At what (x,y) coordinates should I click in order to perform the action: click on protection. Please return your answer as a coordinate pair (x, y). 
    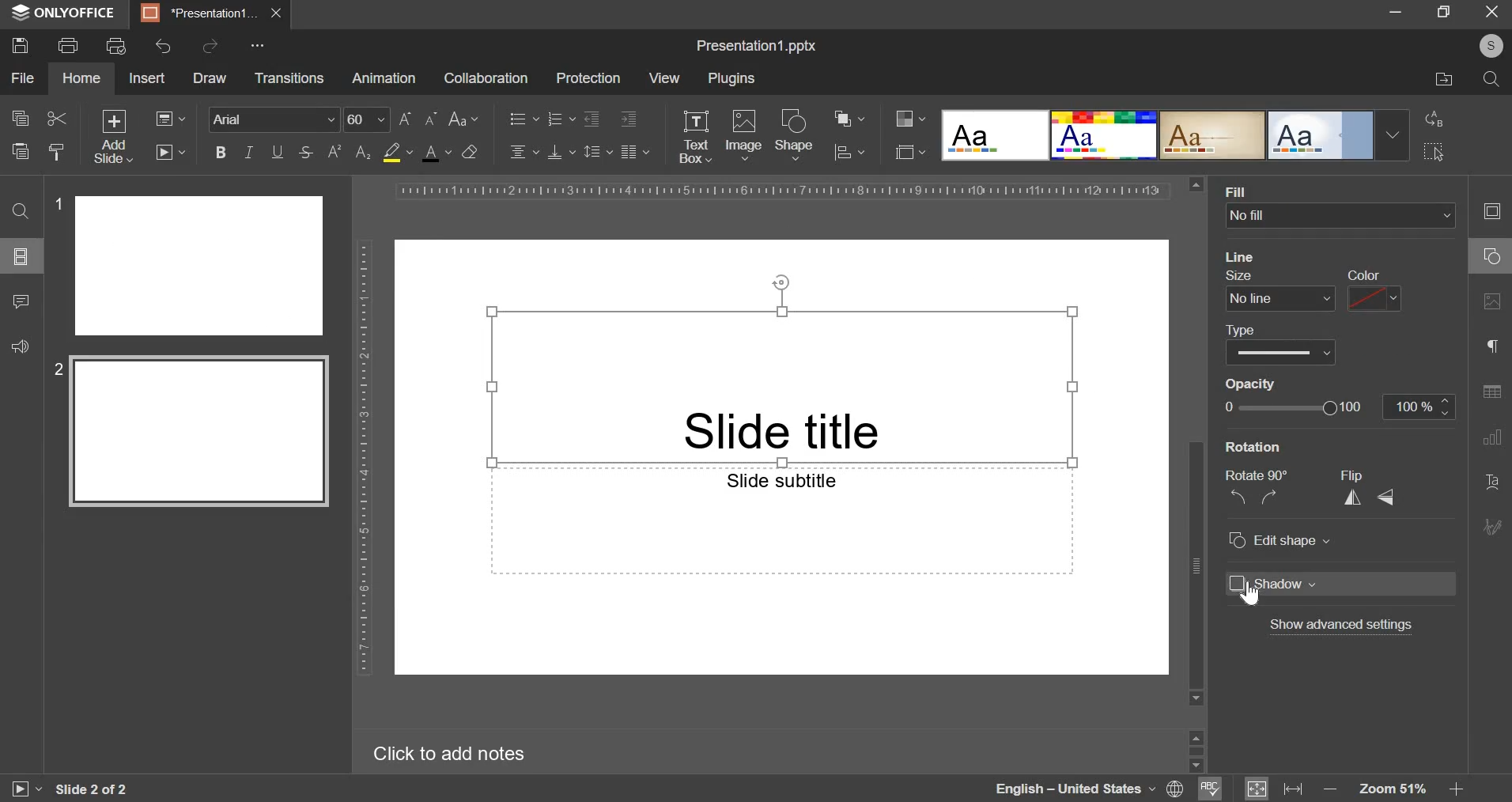
    Looking at the image, I should click on (588, 78).